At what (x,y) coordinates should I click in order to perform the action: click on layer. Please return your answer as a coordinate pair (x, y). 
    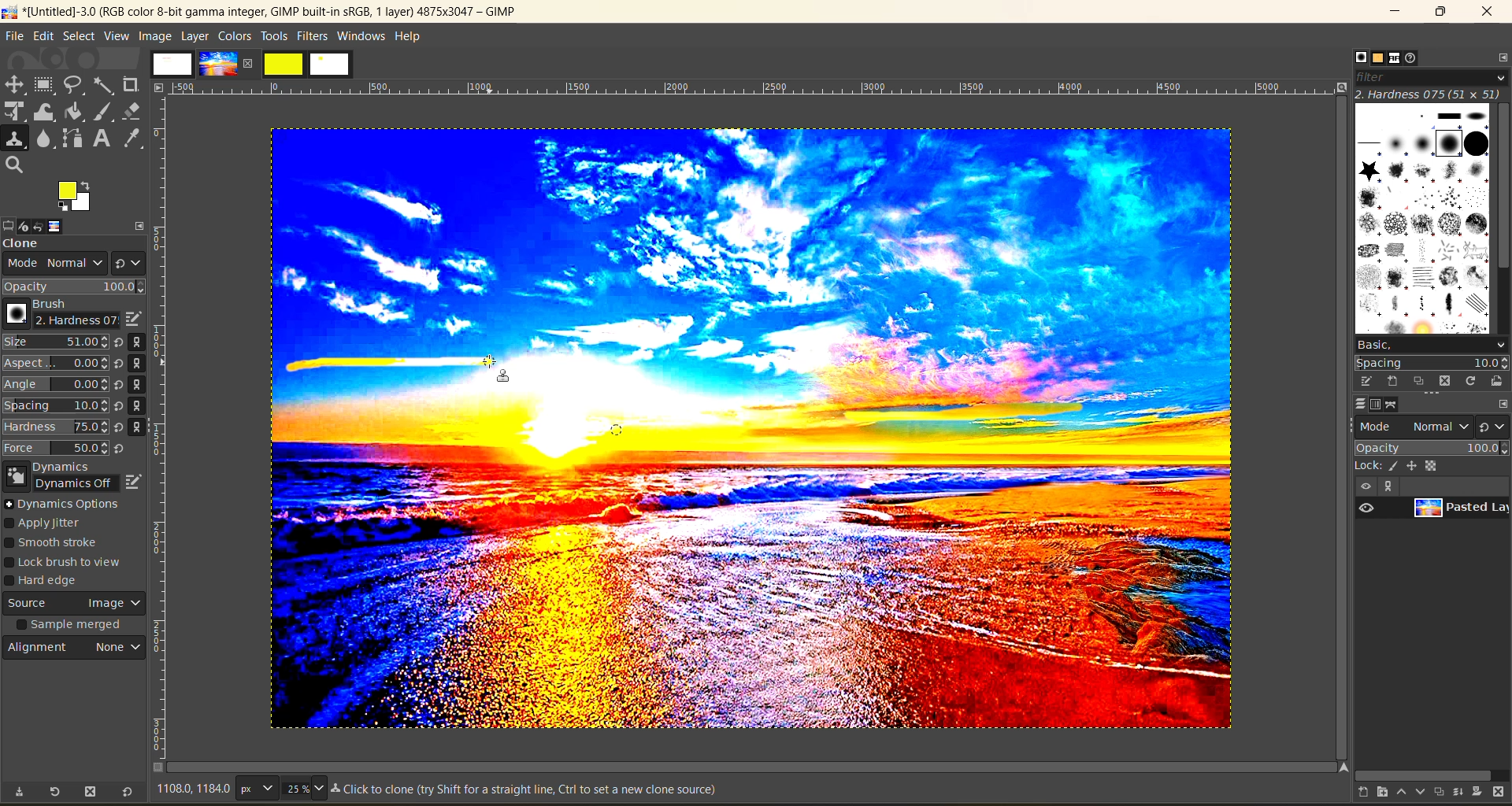
    Looking at the image, I should click on (1458, 511).